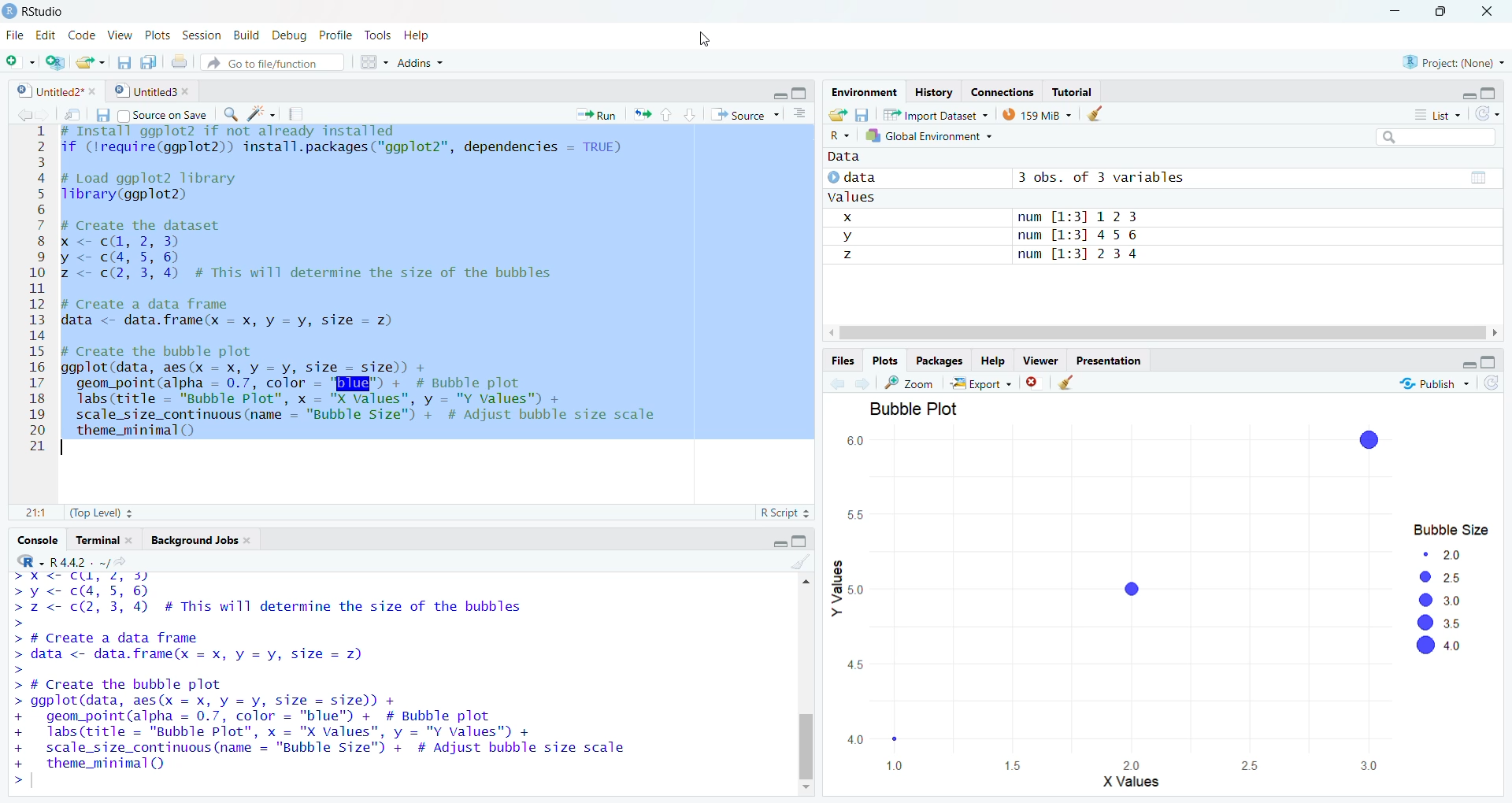 The width and height of the screenshot is (1512, 803). What do you see at coordinates (1462, 360) in the screenshot?
I see `maximize/minimize` at bounding box center [1462, 360].